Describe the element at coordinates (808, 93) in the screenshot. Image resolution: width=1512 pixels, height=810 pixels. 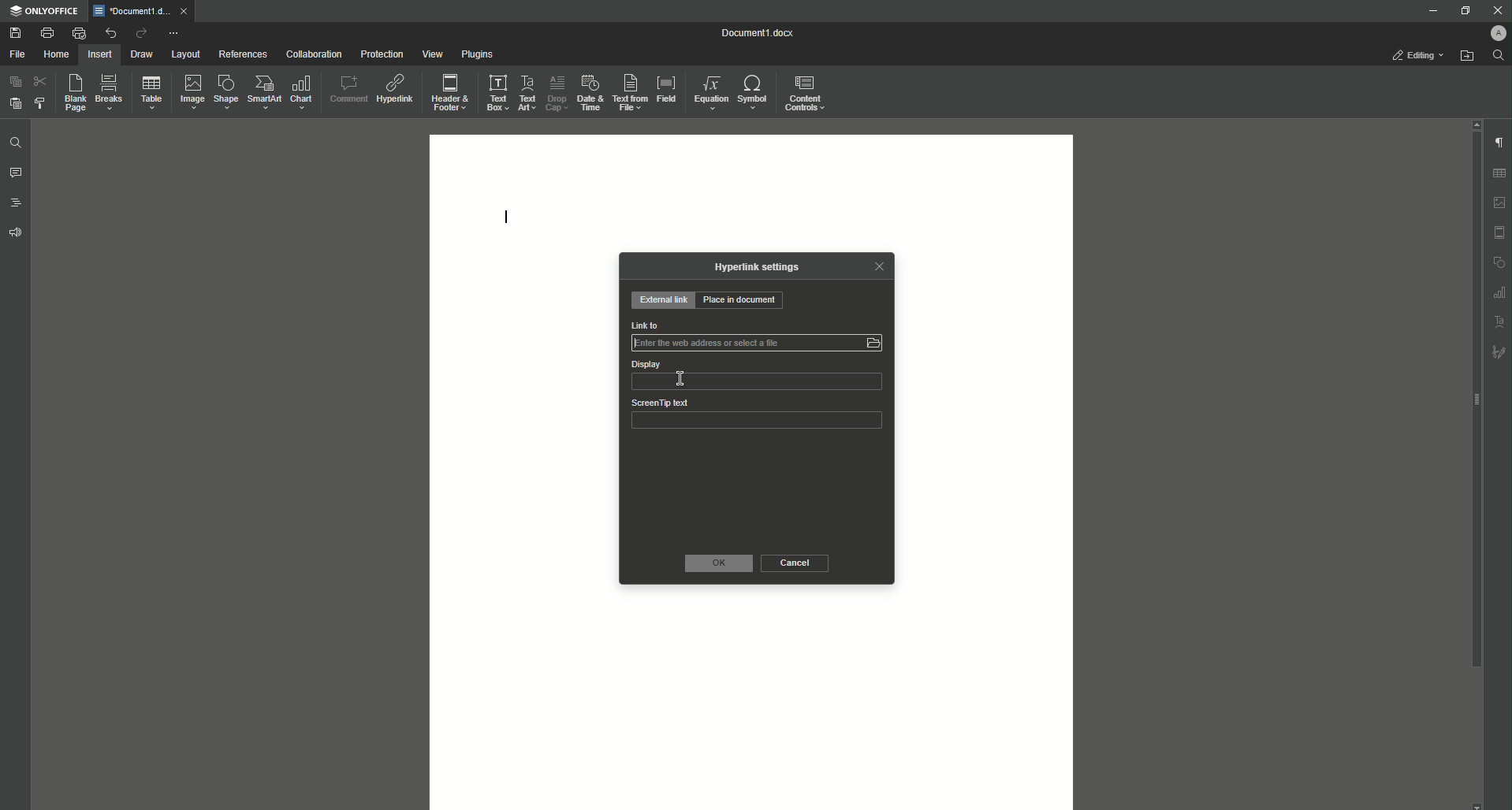
I see `Content Controls` at that location.